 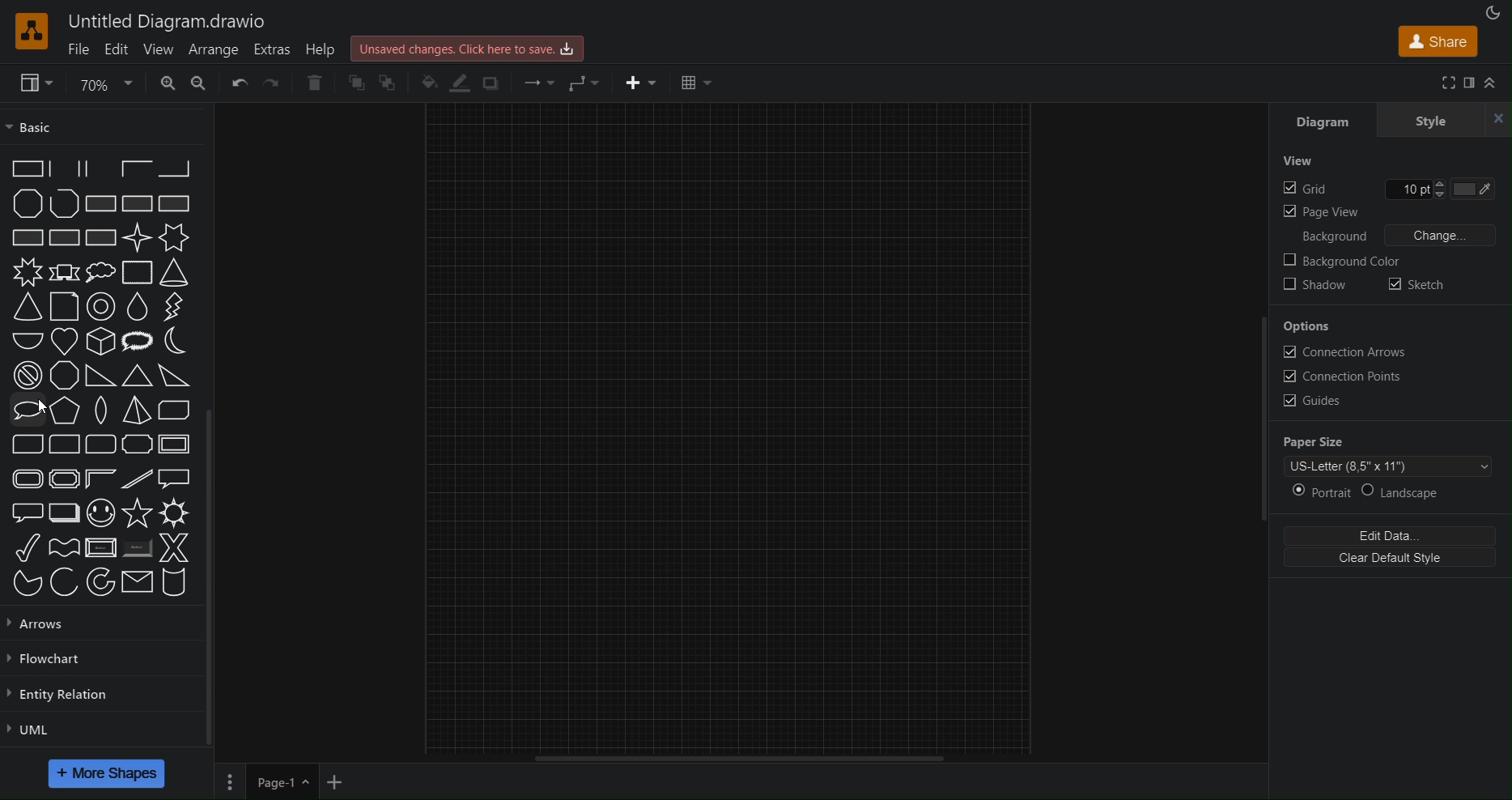 I want to click on Rectangle with Diagnol Fill, so click(x=101, y=203).